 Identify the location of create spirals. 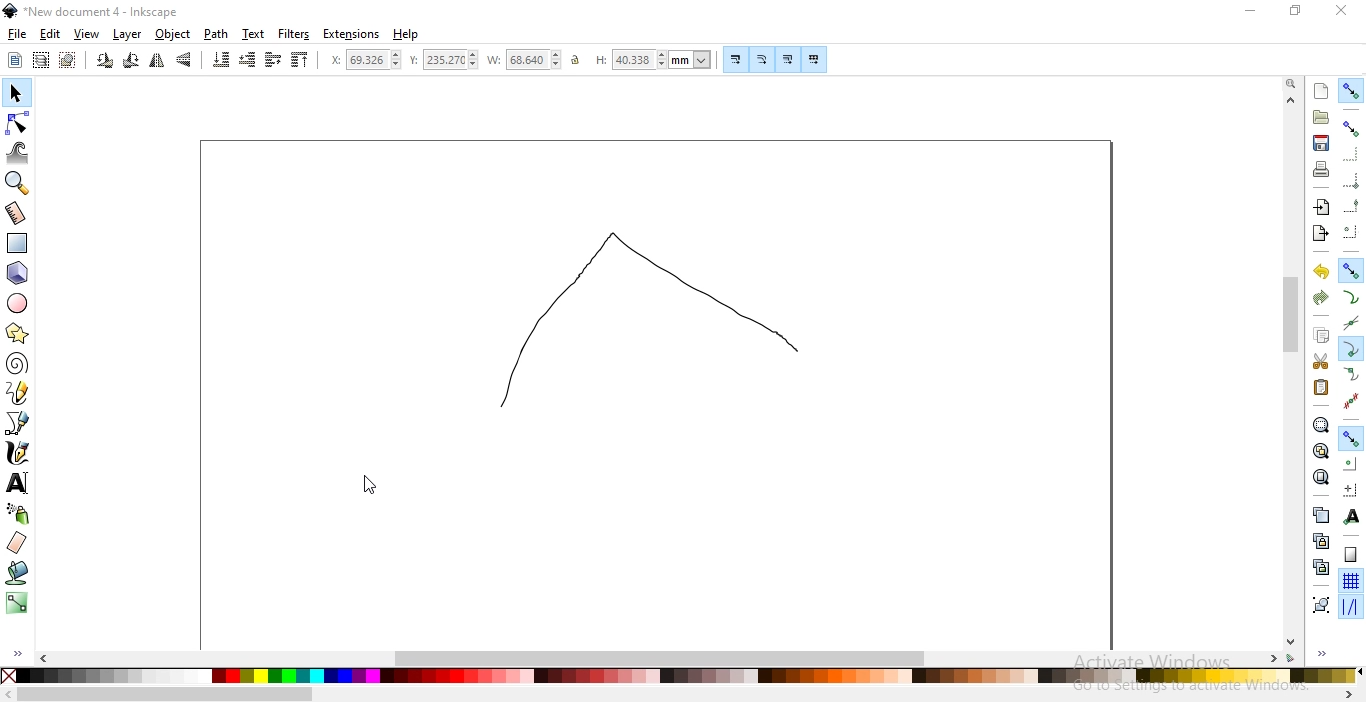
(16, 364).